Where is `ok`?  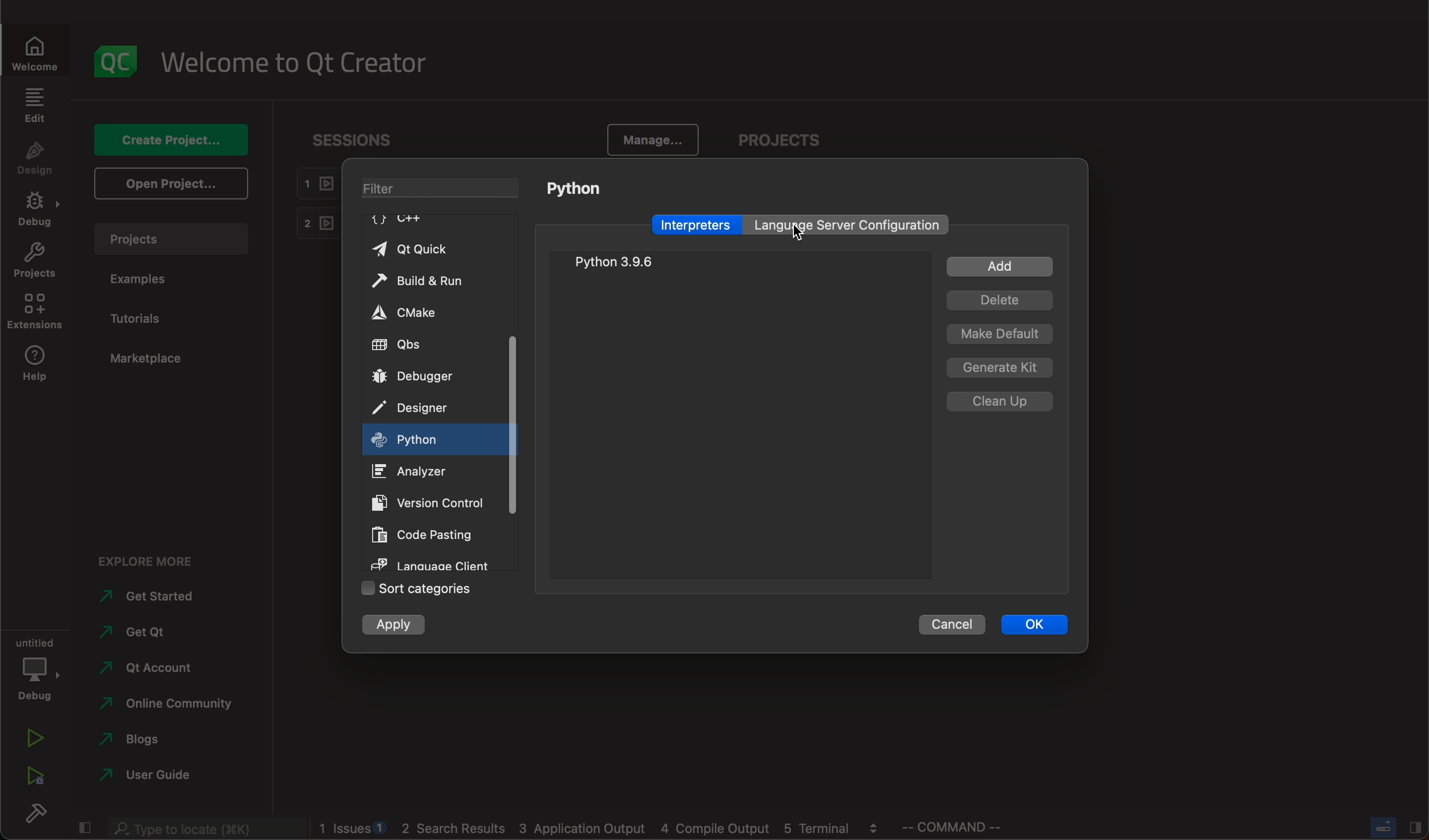
ok is located at coordinates (1037, 622).